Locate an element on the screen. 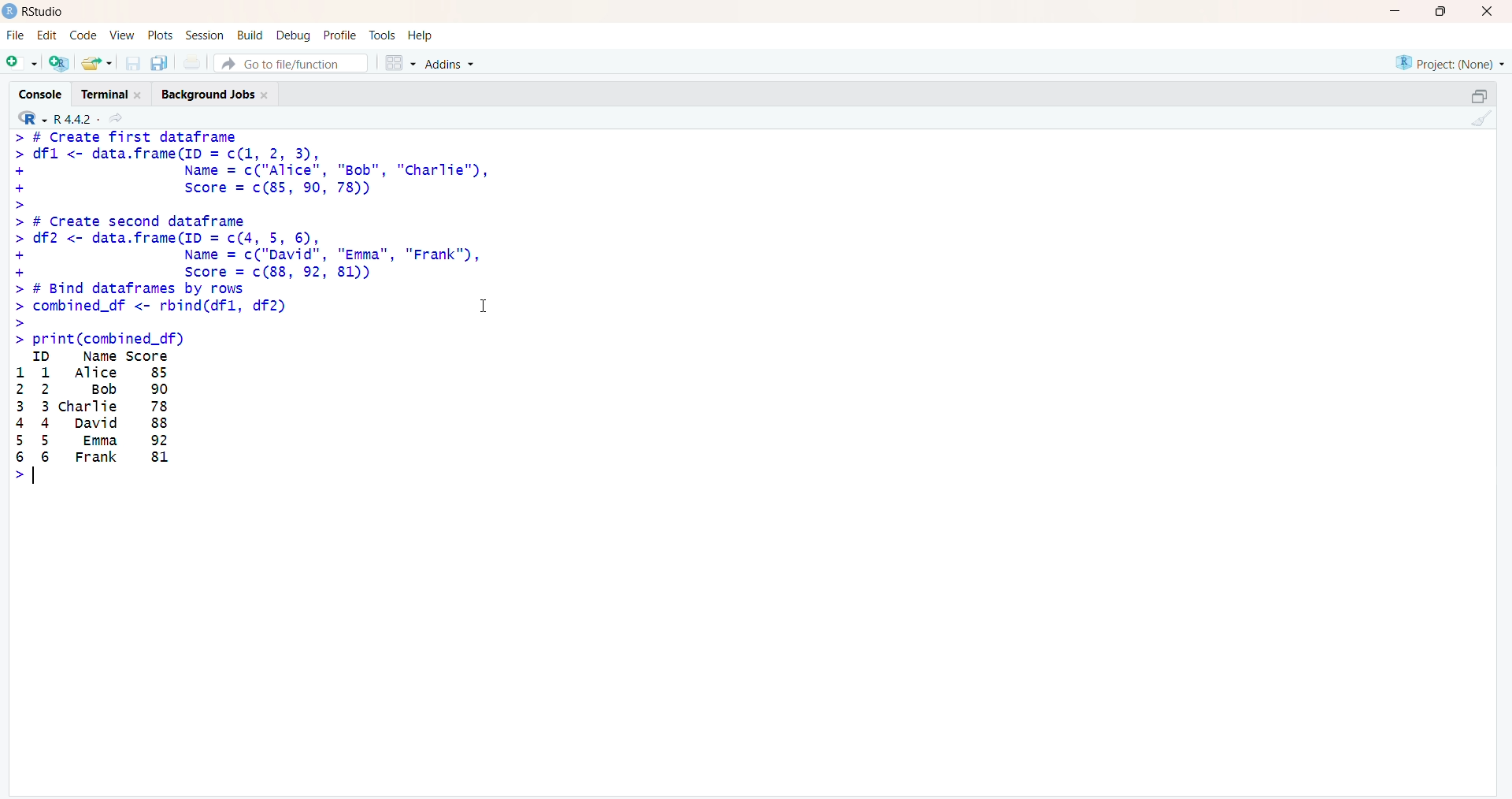 The width and height of the screenshot is (1512, 799). Edit is located at coordinates (50, 34).